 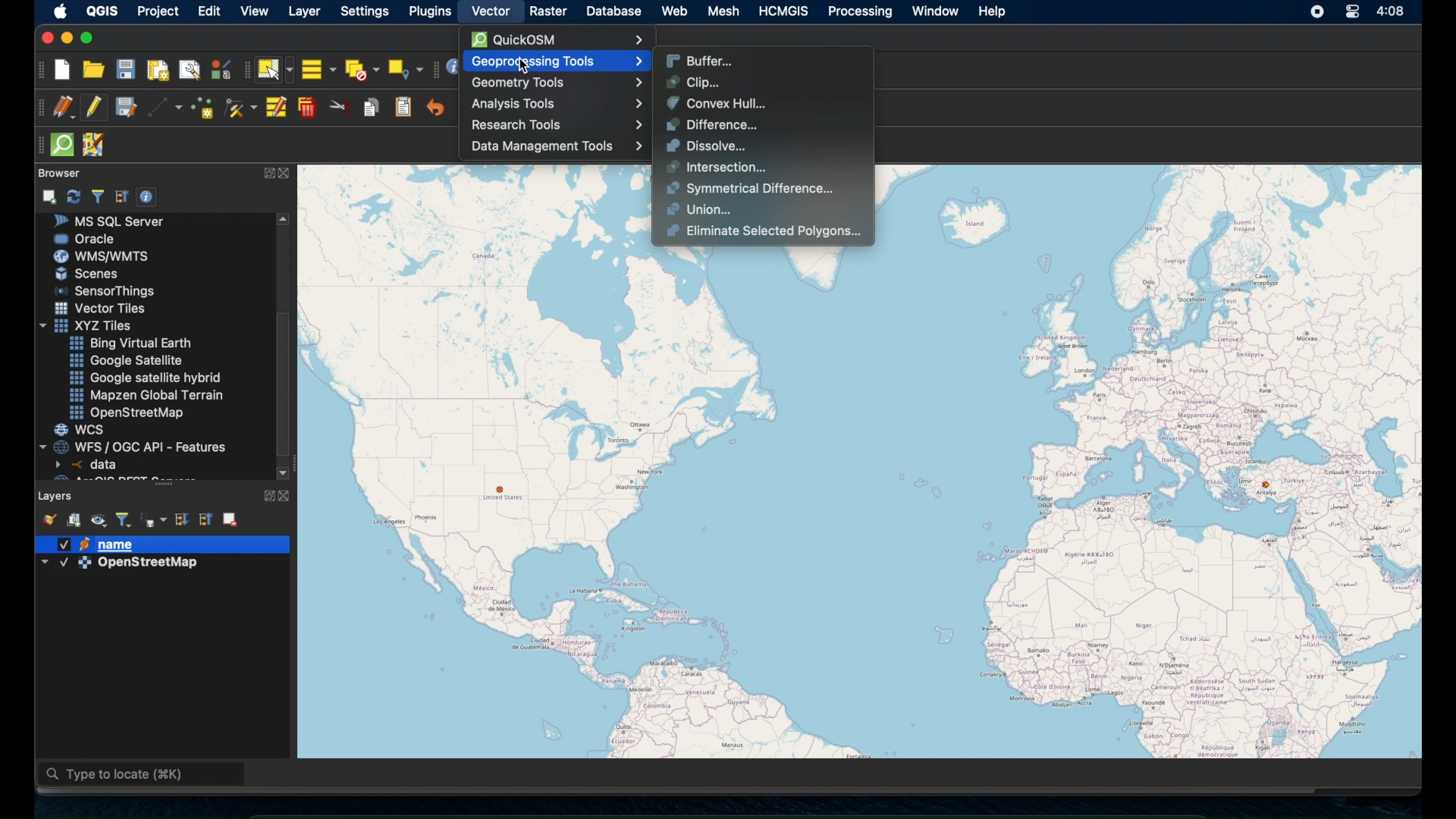 I want to click on data, so click(x=89, y=464).